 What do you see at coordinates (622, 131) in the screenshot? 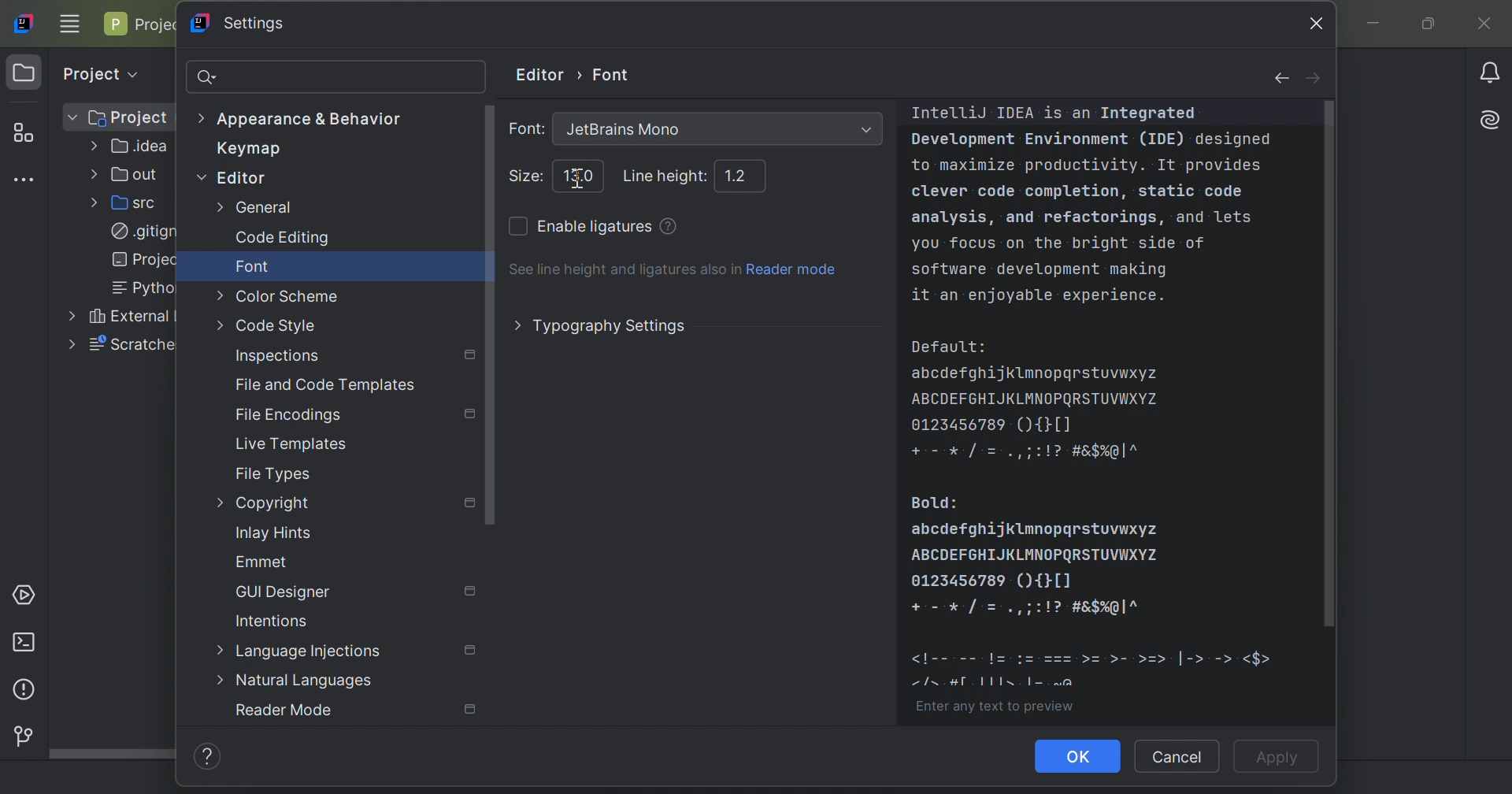
I see `Jetbrains Mono` at bounding box center [622, 131].